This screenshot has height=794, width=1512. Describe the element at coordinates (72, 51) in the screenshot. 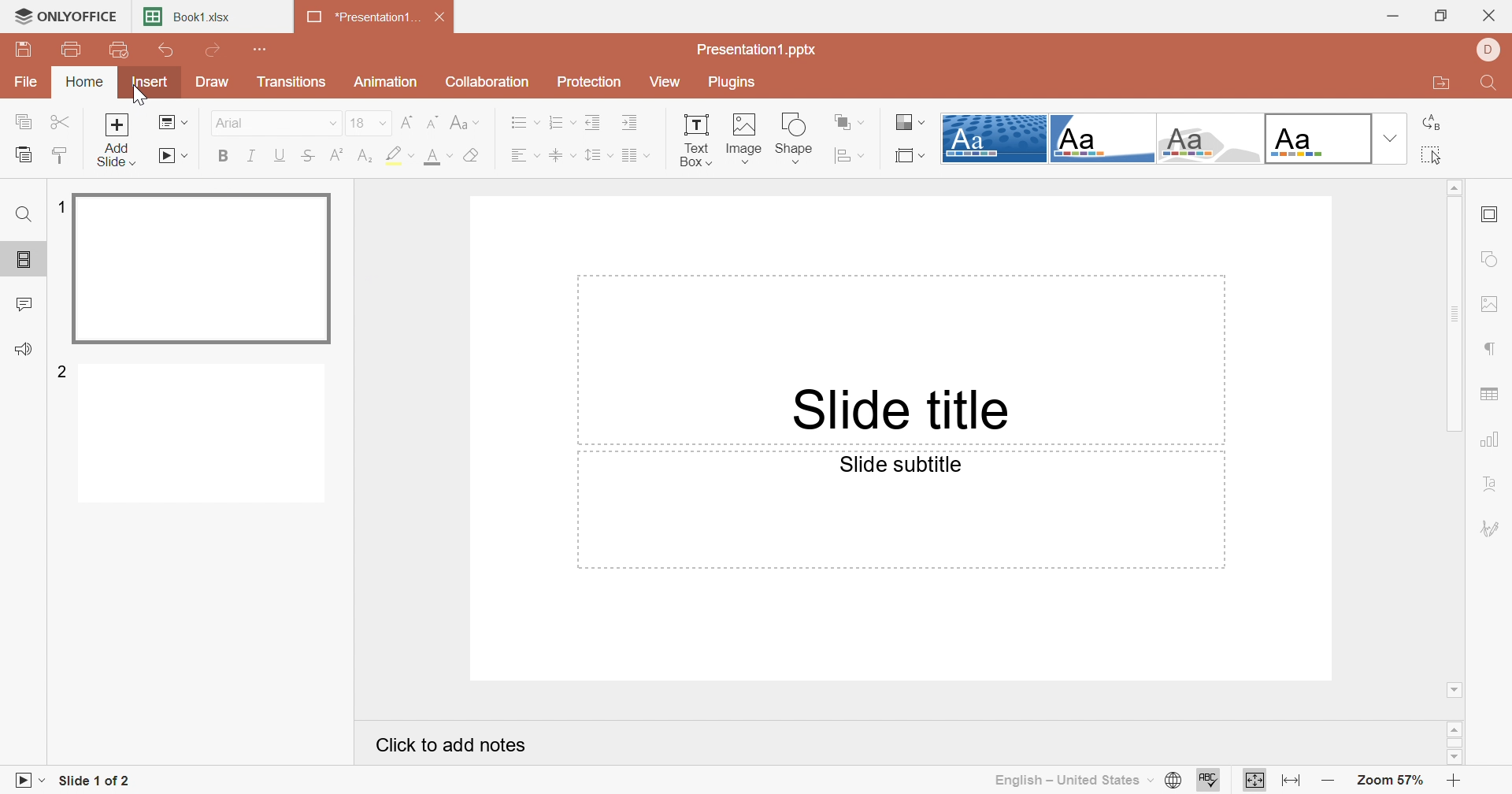

I see `Print` at that location.